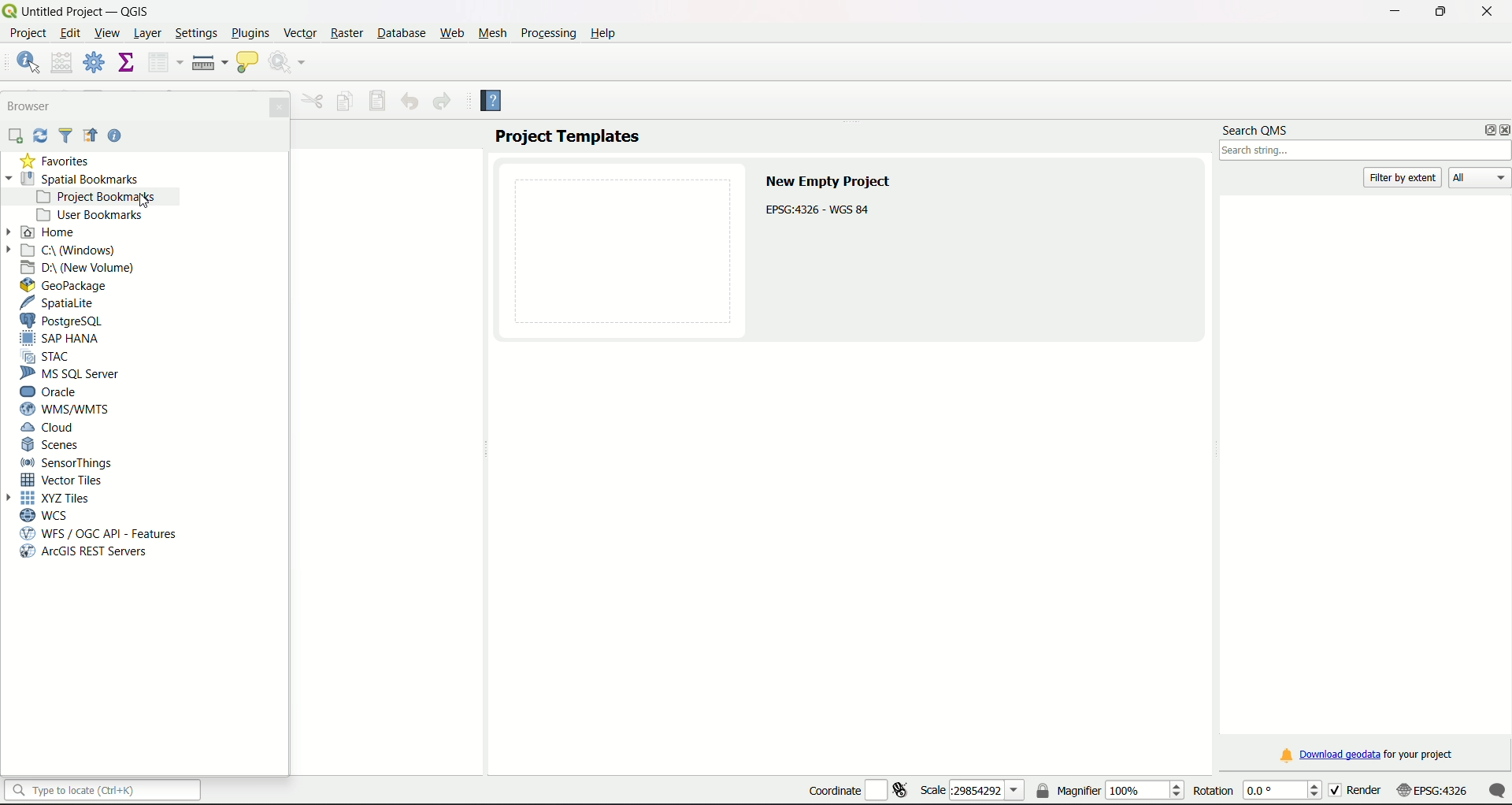 This screenshot has height=805, width=1512. I want to click on close, so click(1486, 10).